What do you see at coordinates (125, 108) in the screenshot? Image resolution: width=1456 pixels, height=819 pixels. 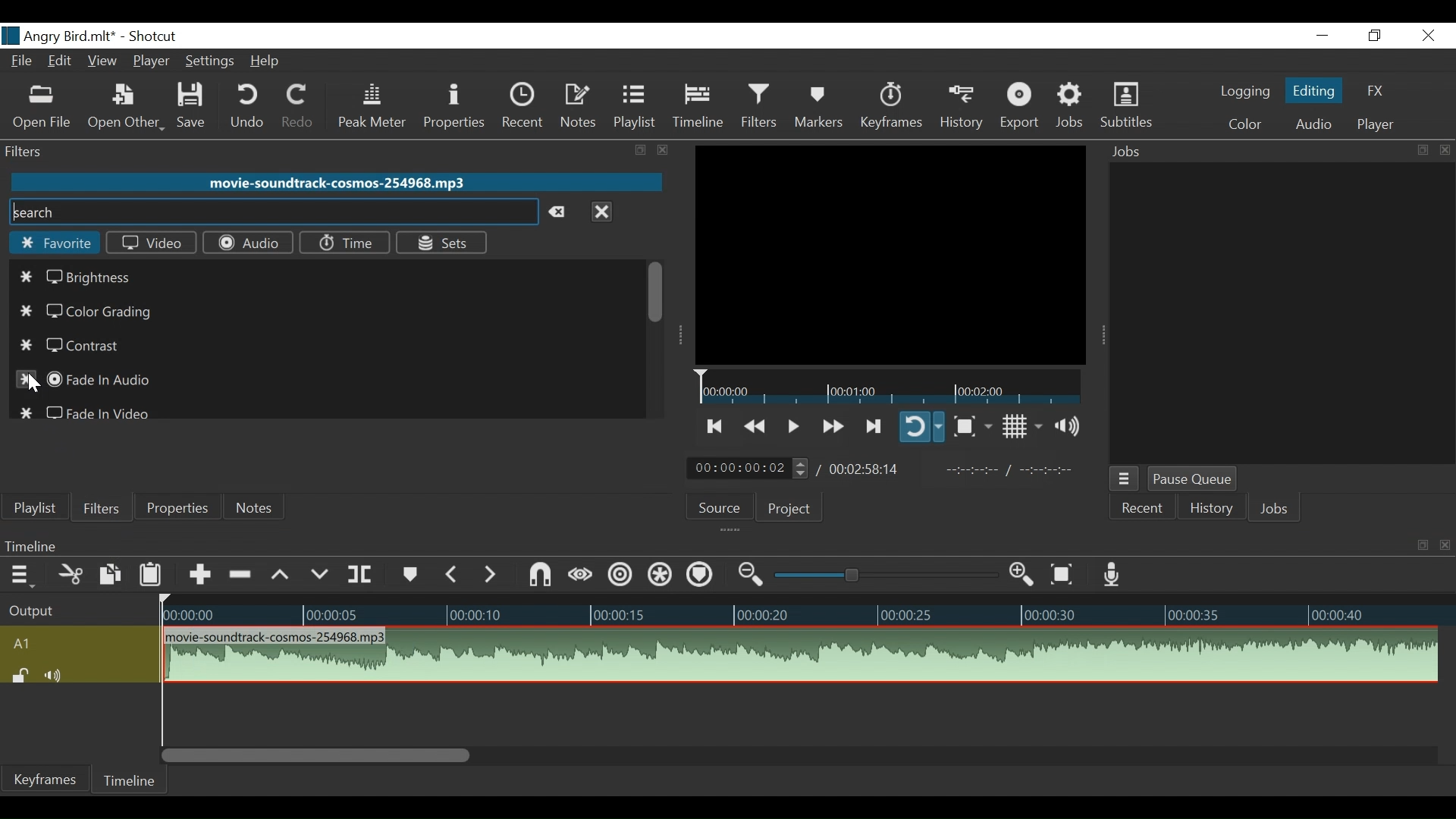 I see `Open Other` at bounding box center [125, 108].